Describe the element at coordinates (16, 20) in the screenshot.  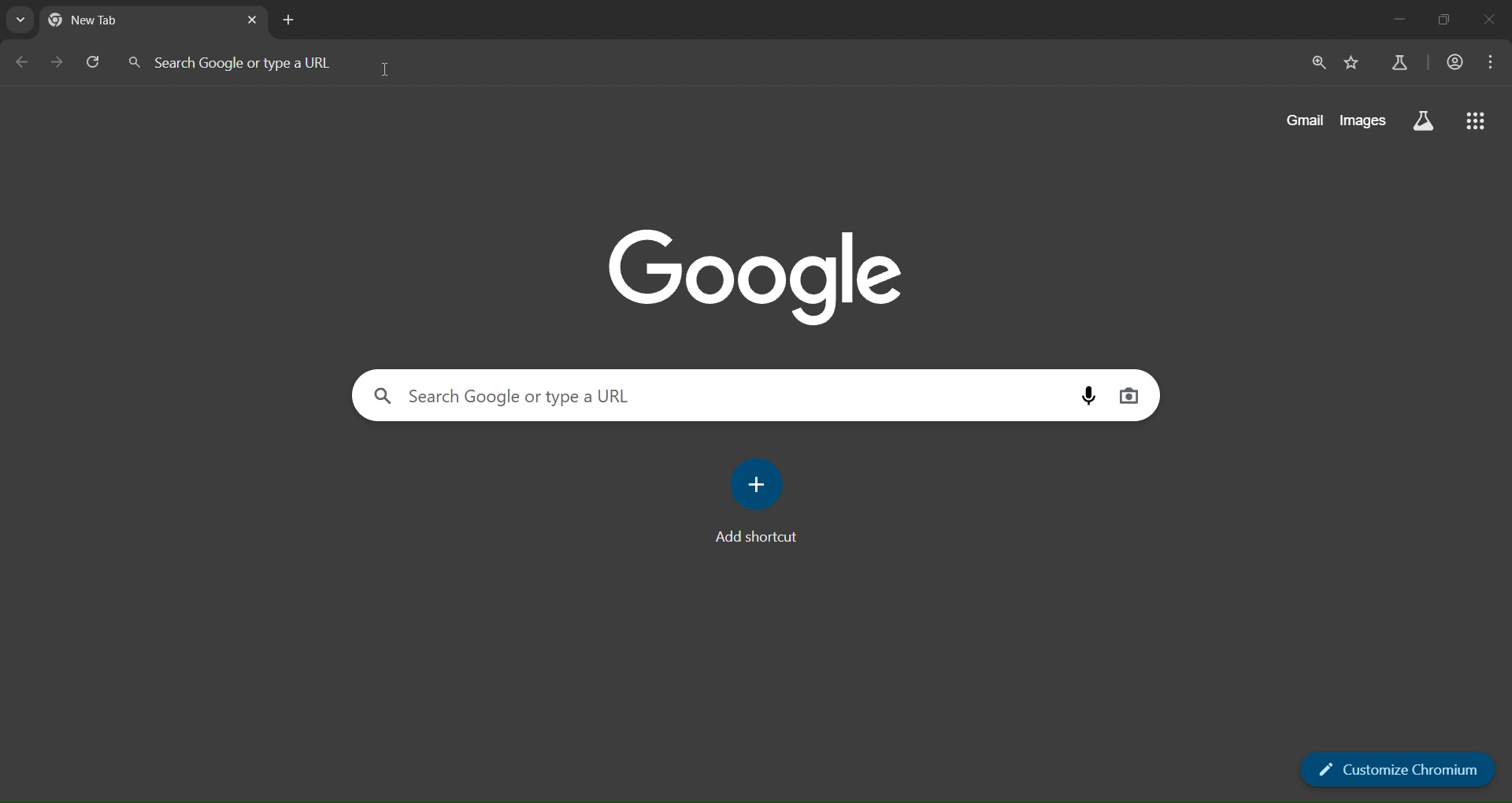
I see `recent locations` at that location.